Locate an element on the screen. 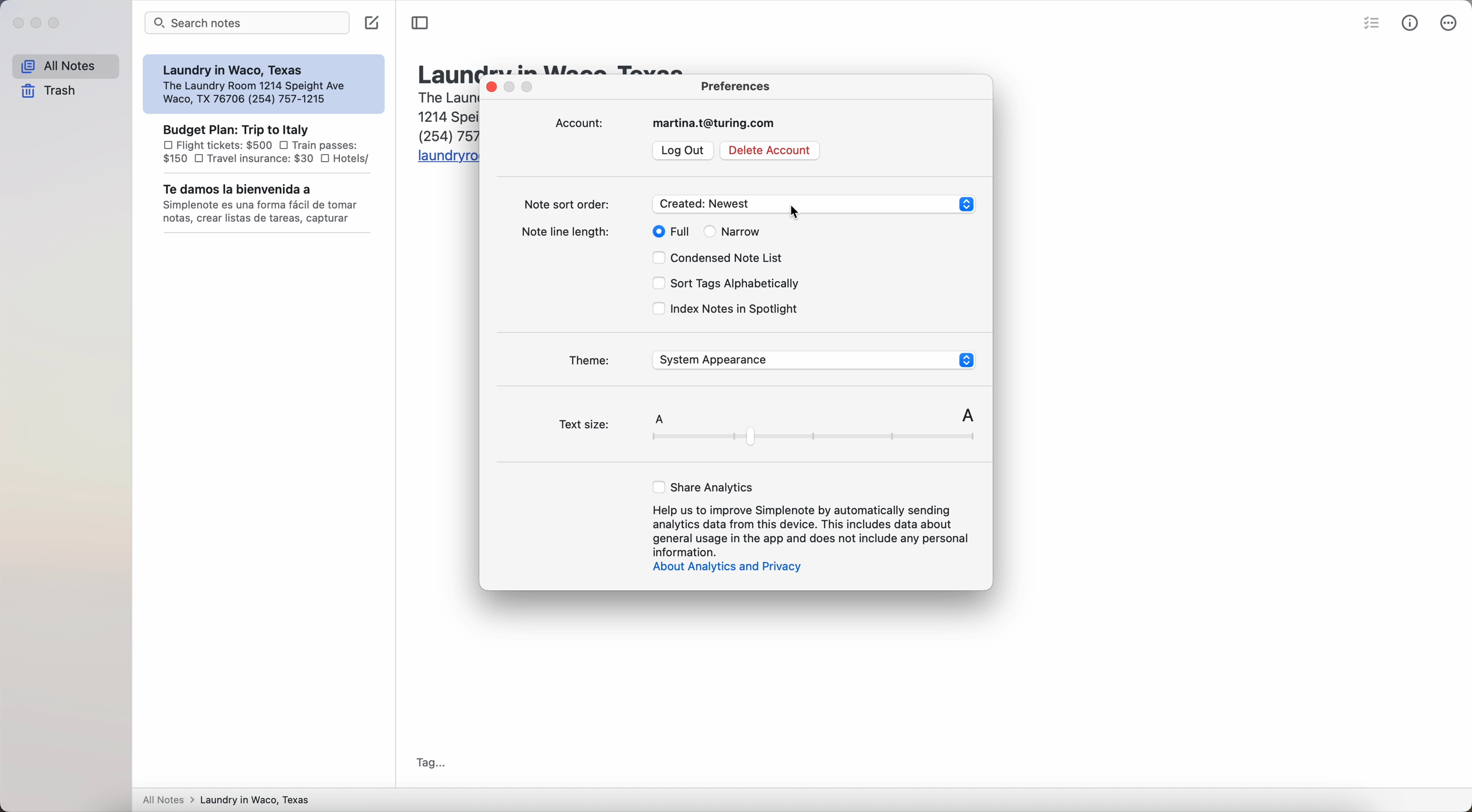 The height and width of the screenshot is (812, 1472). all notes > laundry in Waco, Texas is located at coordinates (232, 798).